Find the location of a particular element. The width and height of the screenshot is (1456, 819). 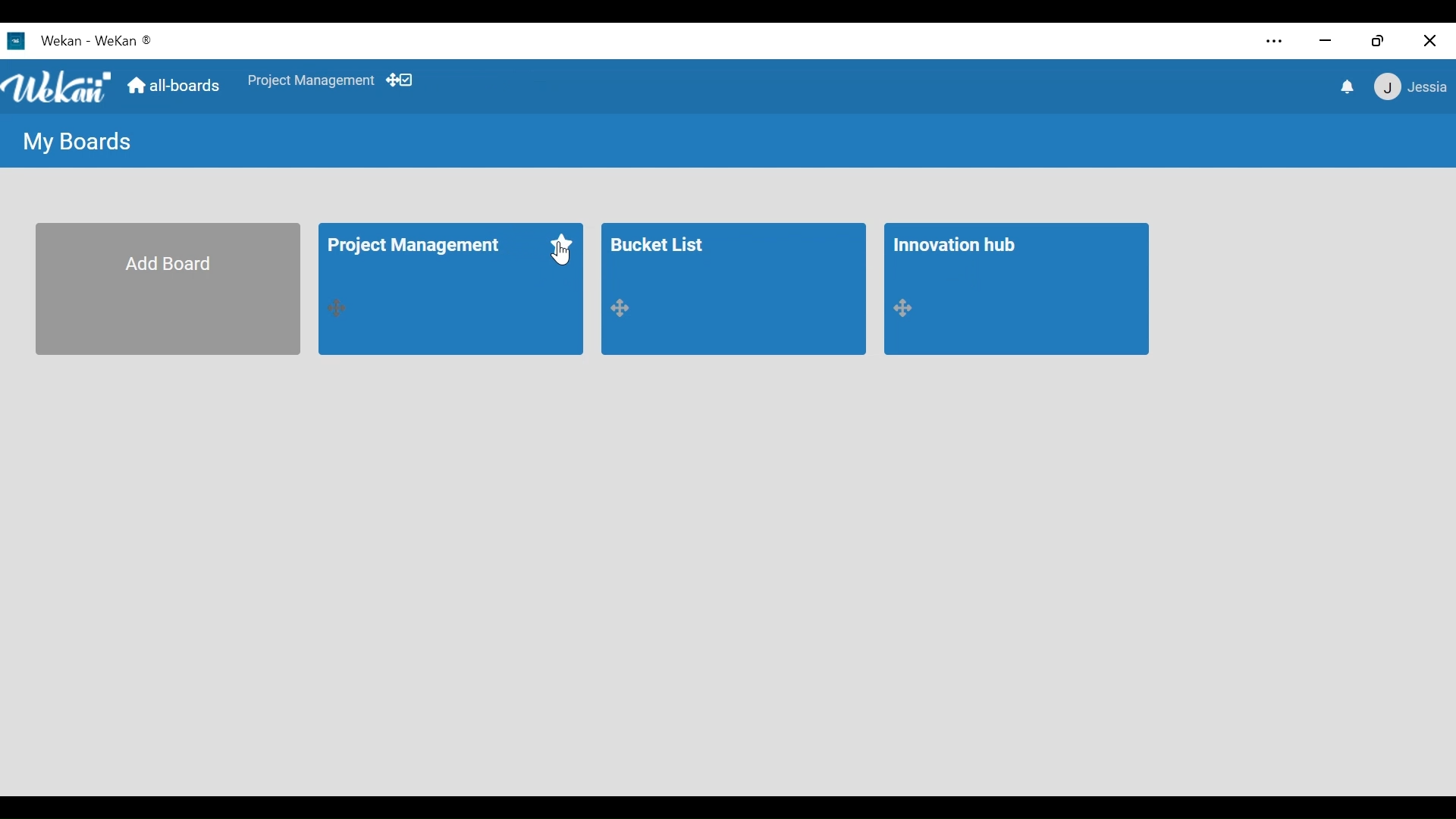

Show desktop drag handles is located at coordinates (403, 80).